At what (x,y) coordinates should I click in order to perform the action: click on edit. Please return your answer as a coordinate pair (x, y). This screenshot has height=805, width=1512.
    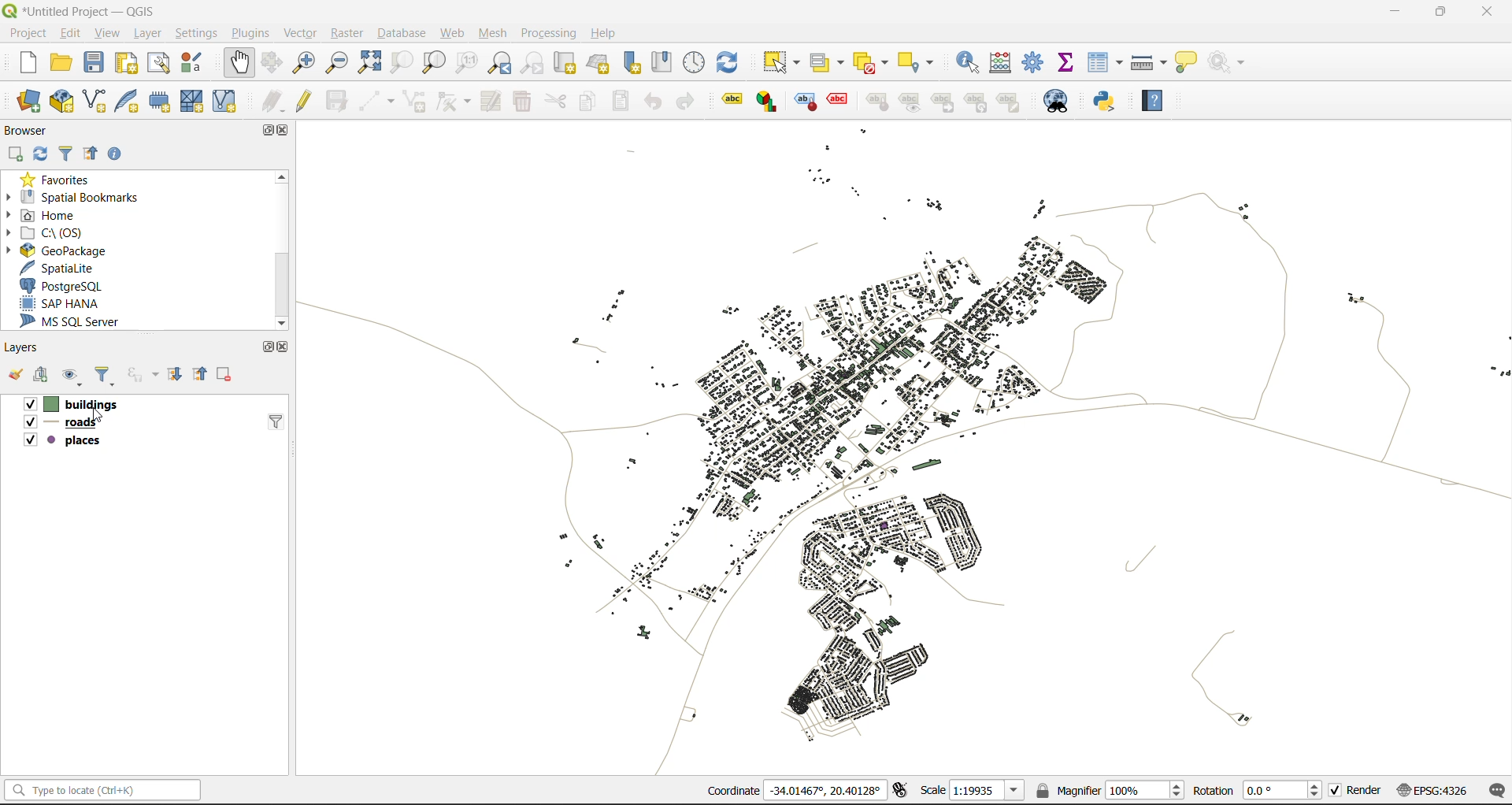
    Looking at the image, I should click on (70, 32).